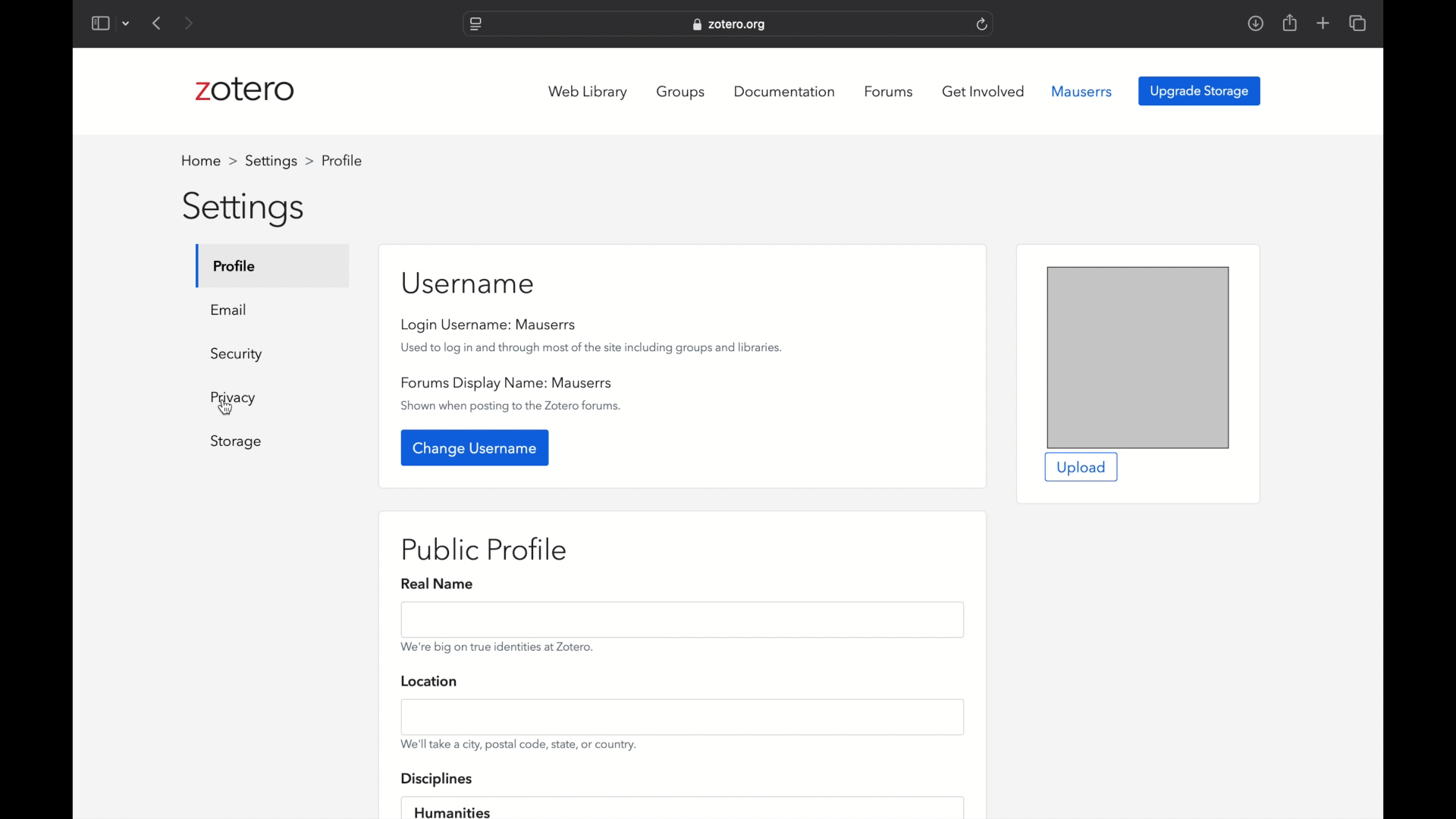  I want to click on profile, so click(236, 265).